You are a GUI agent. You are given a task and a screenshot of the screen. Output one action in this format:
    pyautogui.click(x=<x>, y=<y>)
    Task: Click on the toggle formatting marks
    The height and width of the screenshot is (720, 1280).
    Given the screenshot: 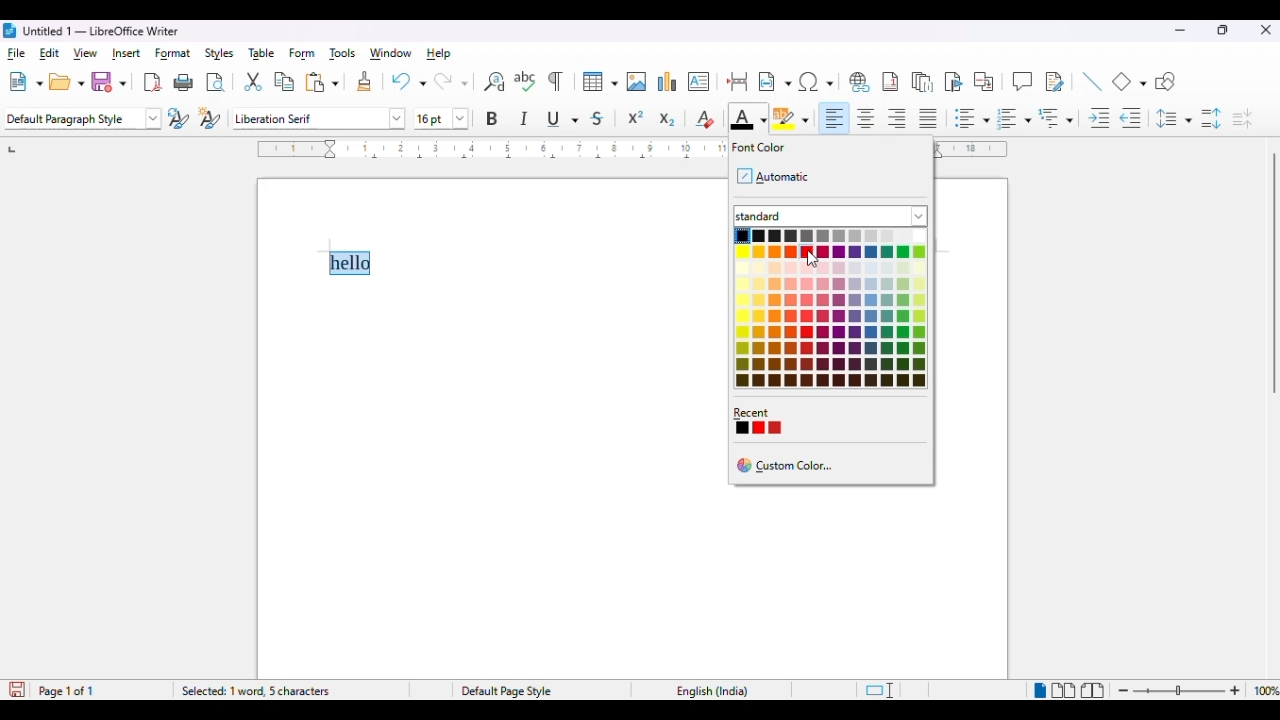 What is the action you would take?
    pyautogui.click(x=555, y=81)
    